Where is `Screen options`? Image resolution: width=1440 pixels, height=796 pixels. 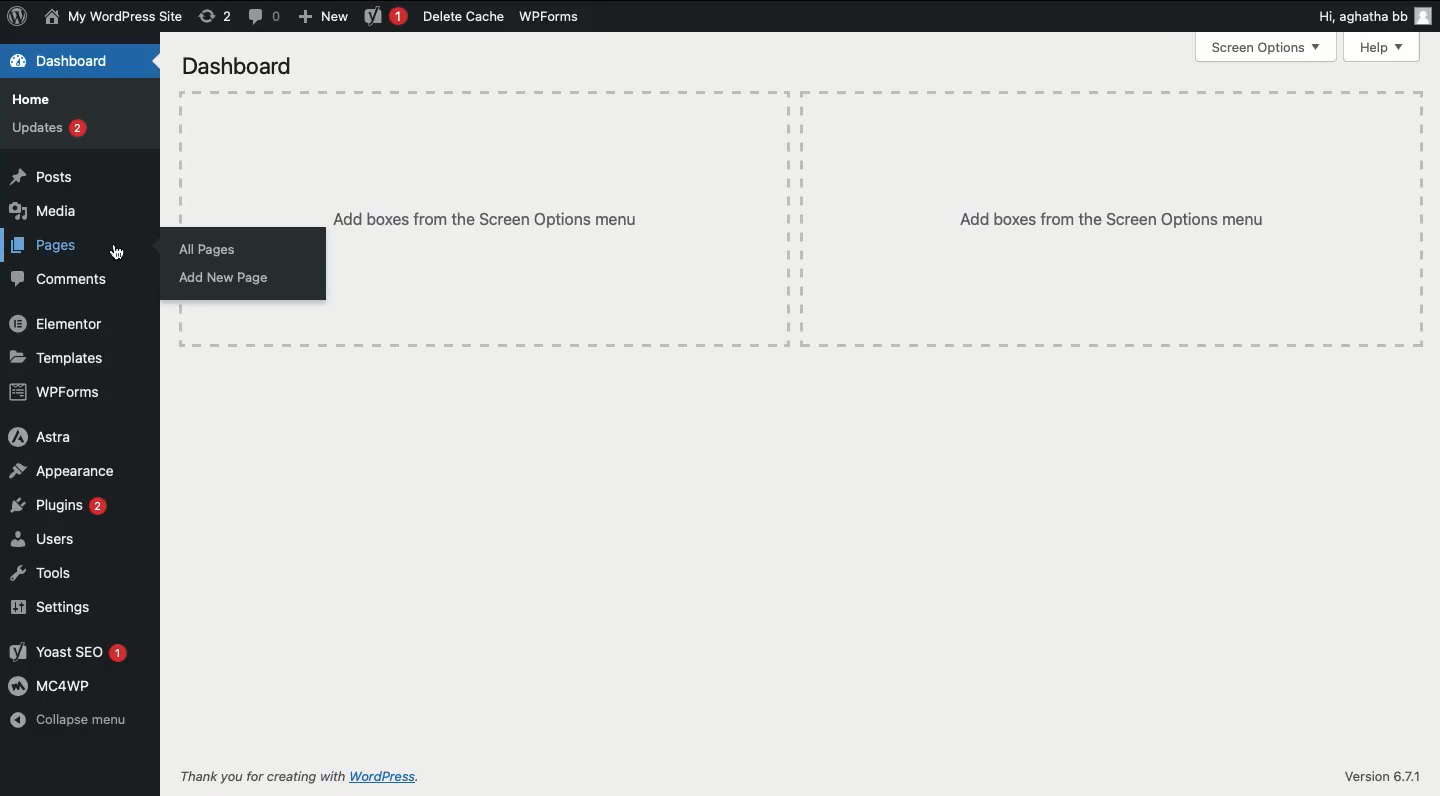 Screen options is located at coordinates (1266, 50).